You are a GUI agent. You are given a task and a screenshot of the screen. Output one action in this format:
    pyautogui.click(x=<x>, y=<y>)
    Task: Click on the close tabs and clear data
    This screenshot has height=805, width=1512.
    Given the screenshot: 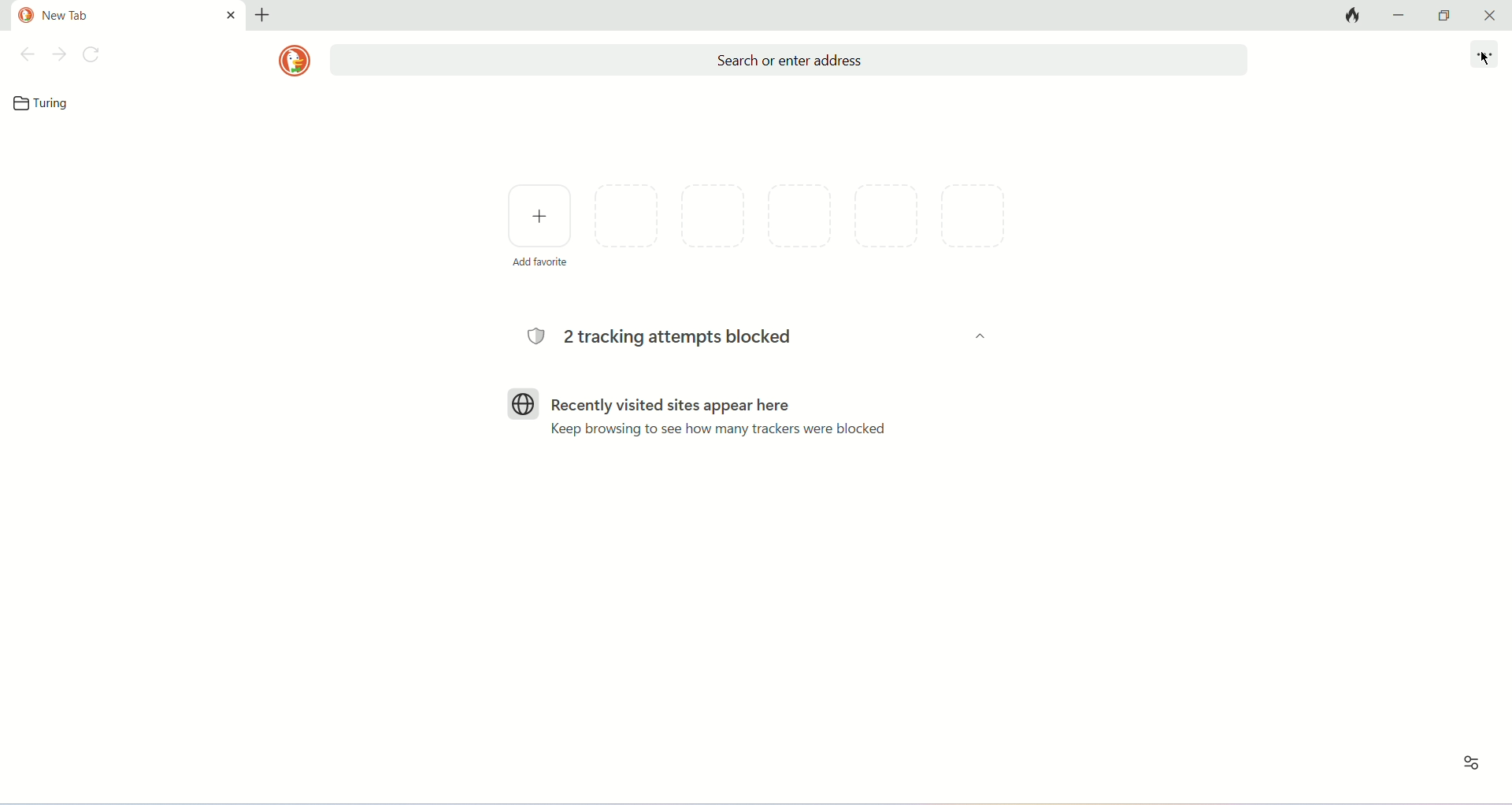 What is the action you would take?
    pyautogui.click(x=1348, y=16)
    